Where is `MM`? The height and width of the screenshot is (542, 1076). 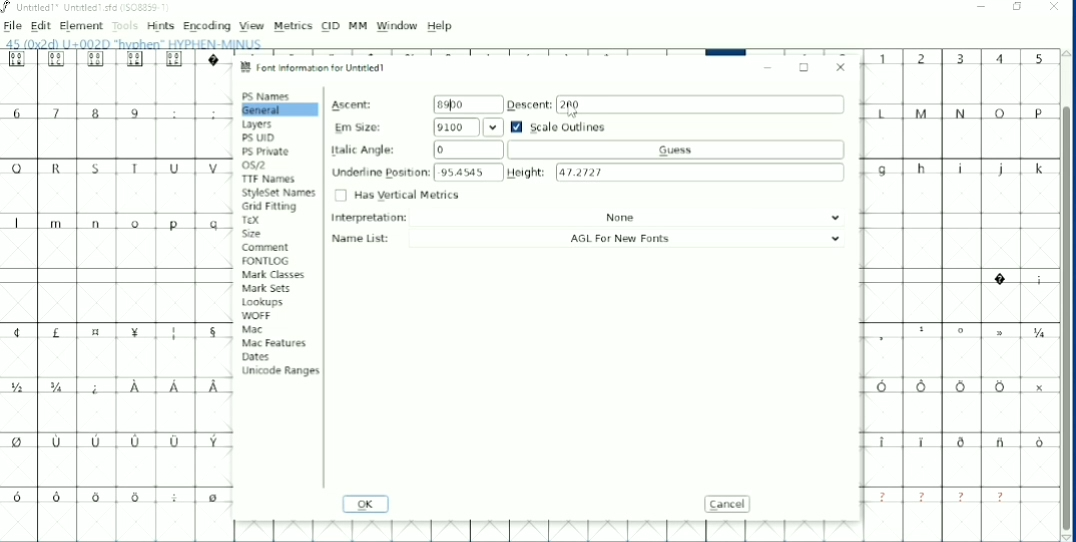 MM is located at coordinates (358, 26).